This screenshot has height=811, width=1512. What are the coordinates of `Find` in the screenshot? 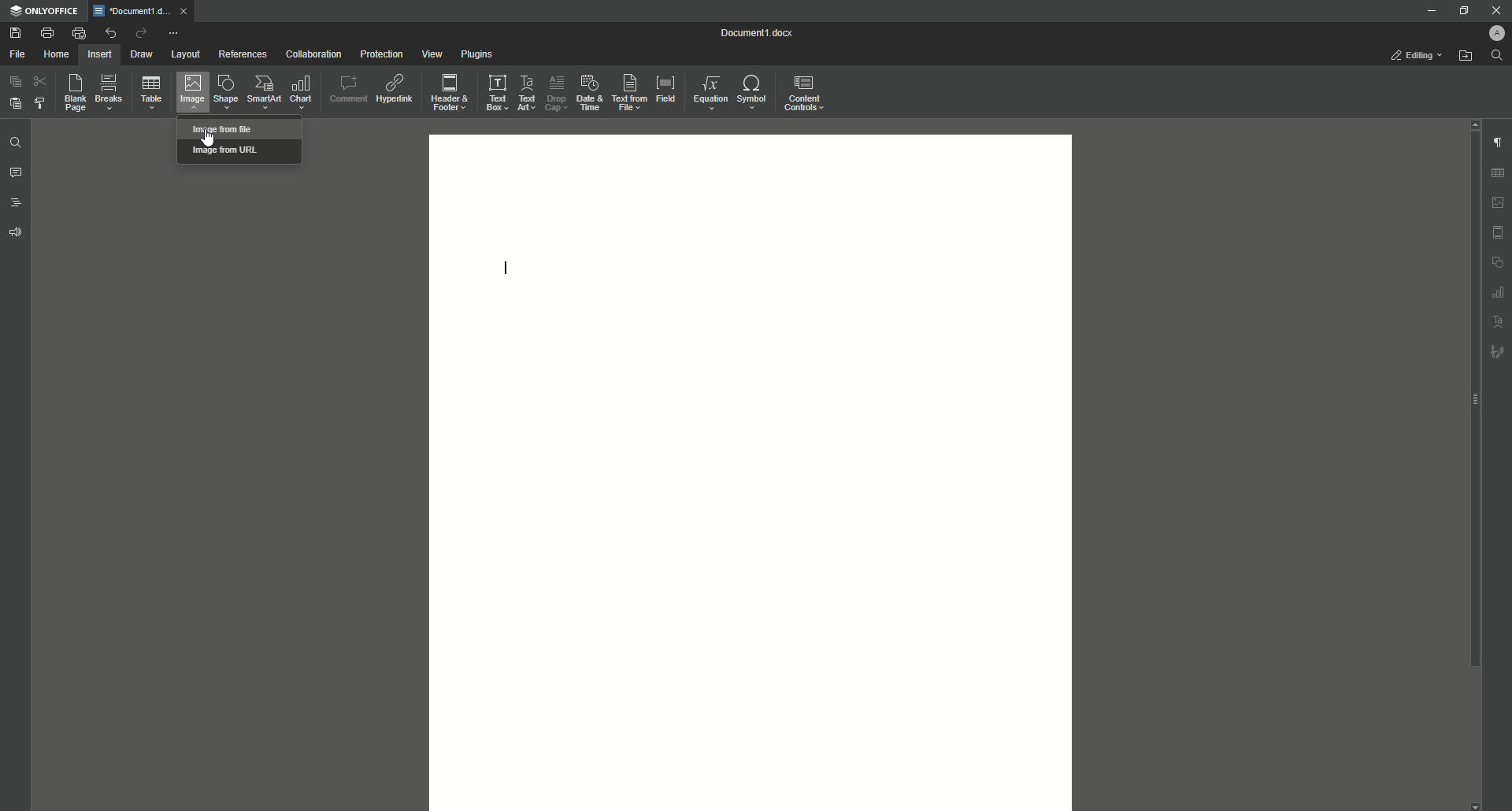 It's located at (17, 140).